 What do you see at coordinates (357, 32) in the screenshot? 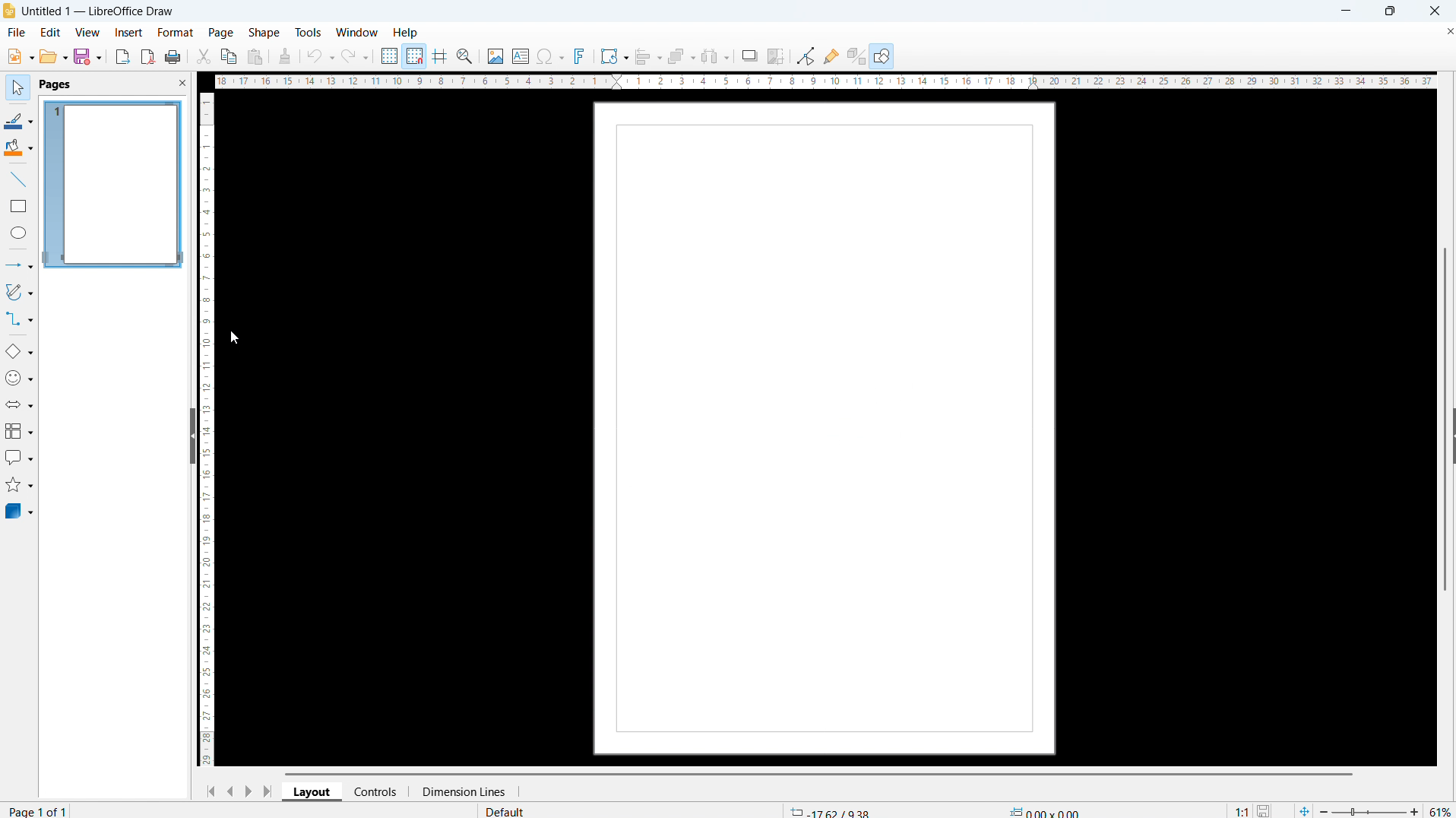
I see `window` at bounding box center [357, 32].